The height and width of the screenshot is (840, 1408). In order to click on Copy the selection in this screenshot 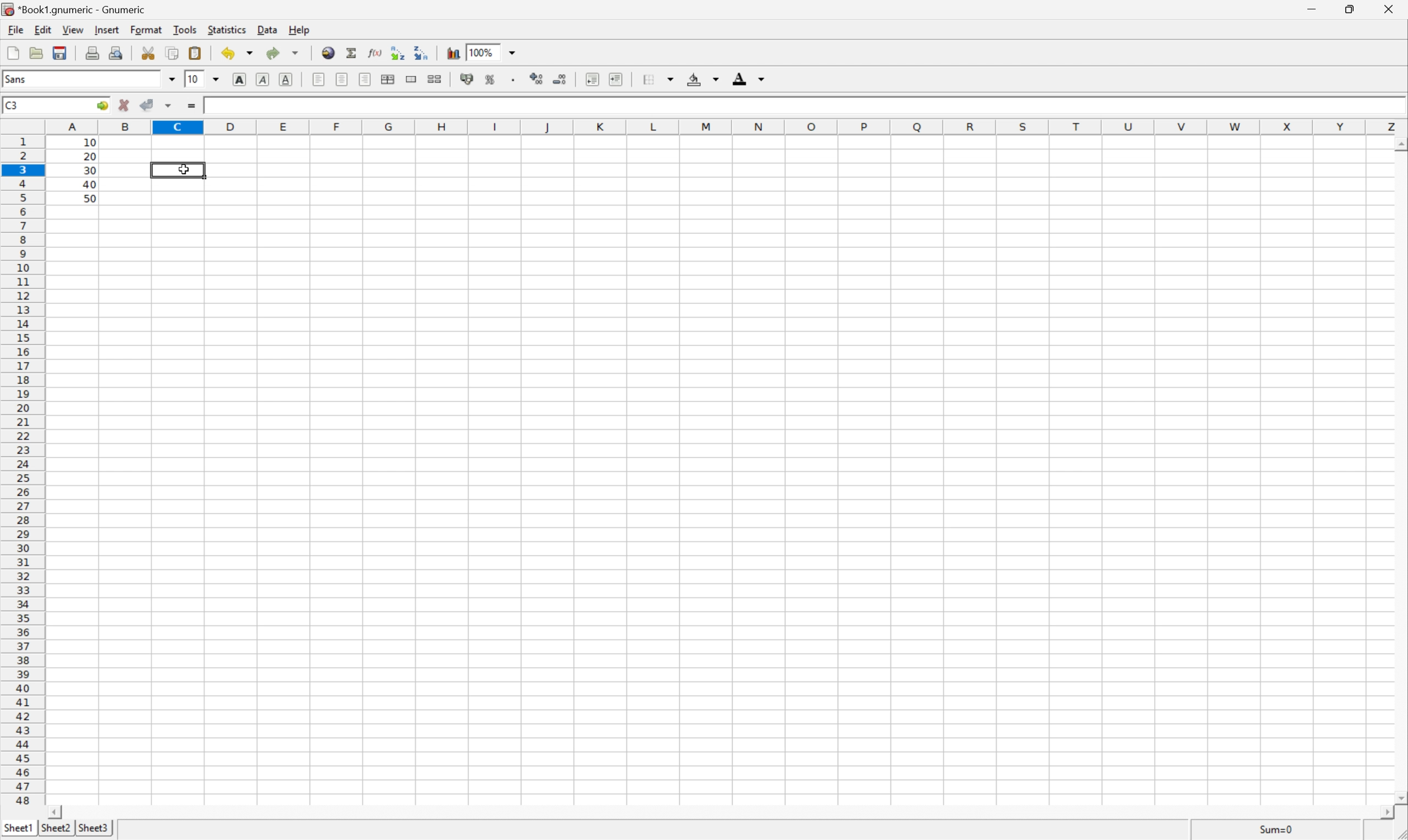, I will do `click(171, 54)`.